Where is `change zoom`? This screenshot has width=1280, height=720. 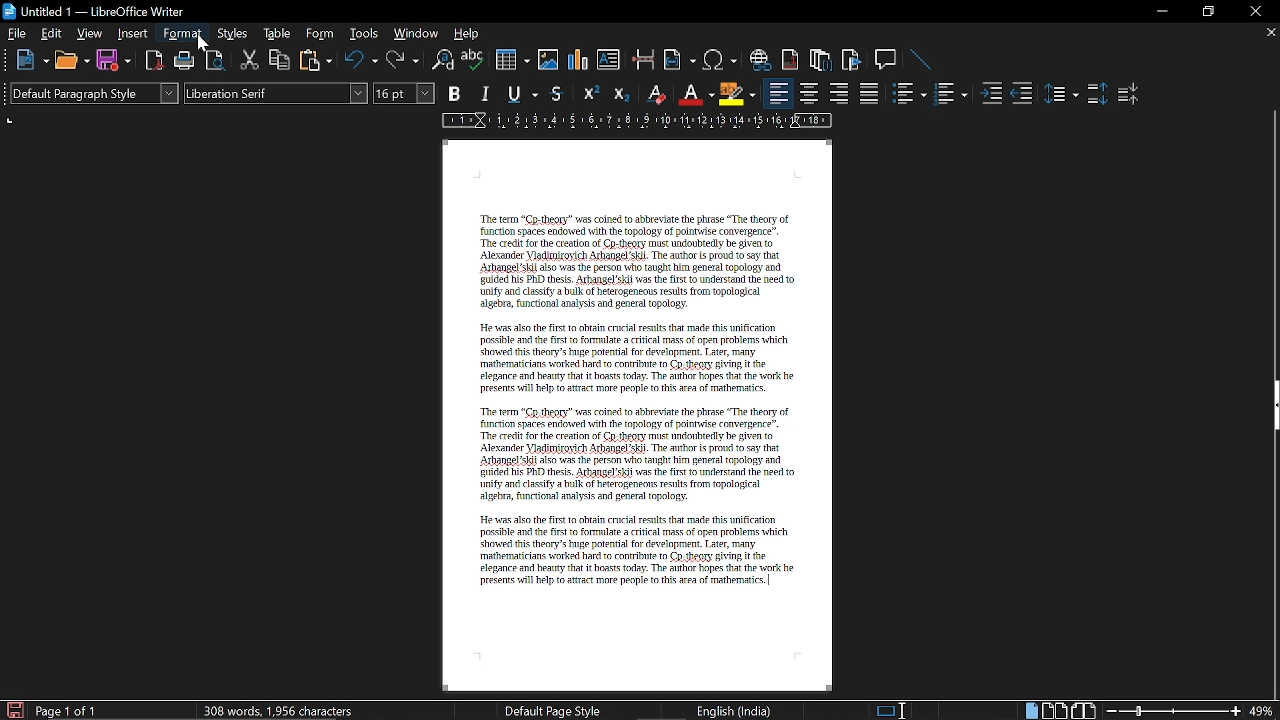
change zoom is located at coordinates (1191, 708).